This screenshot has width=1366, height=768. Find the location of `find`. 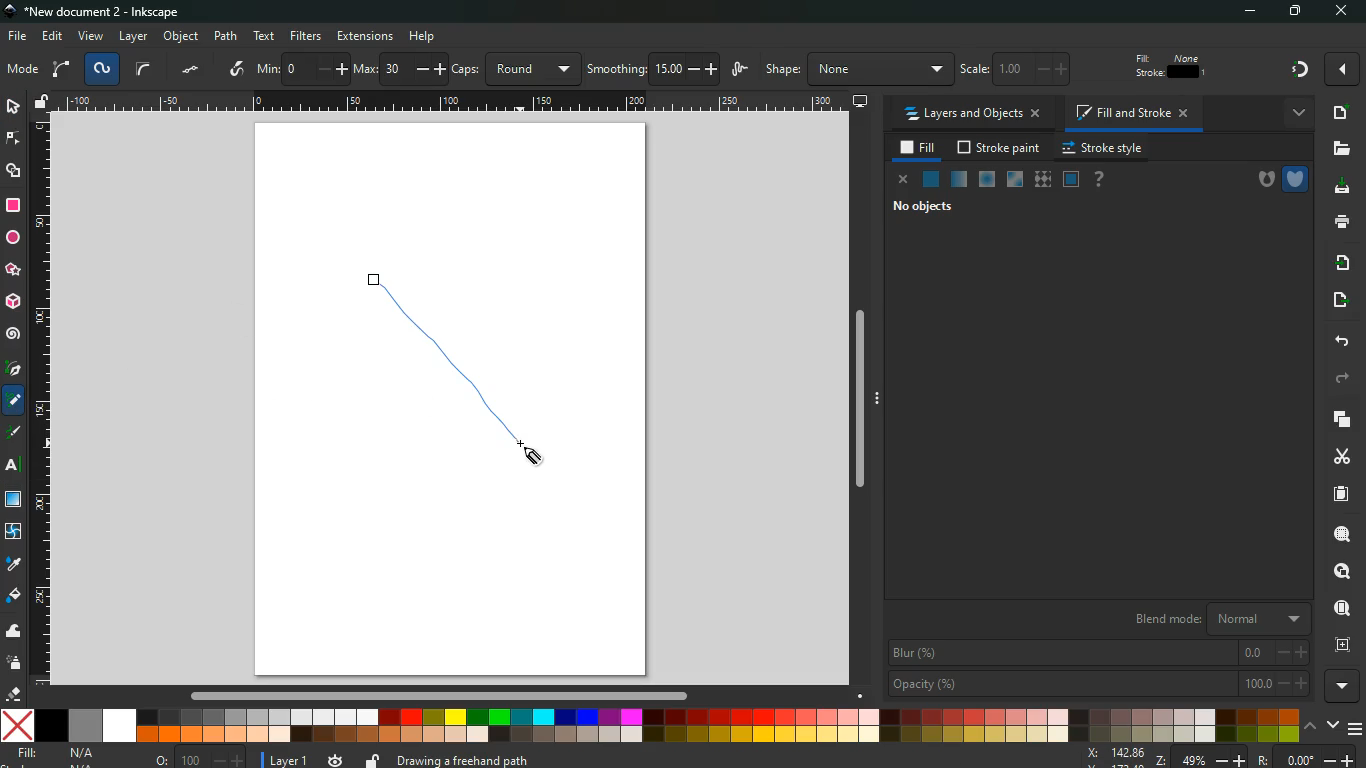

find is located at coordinates (1340, 607).